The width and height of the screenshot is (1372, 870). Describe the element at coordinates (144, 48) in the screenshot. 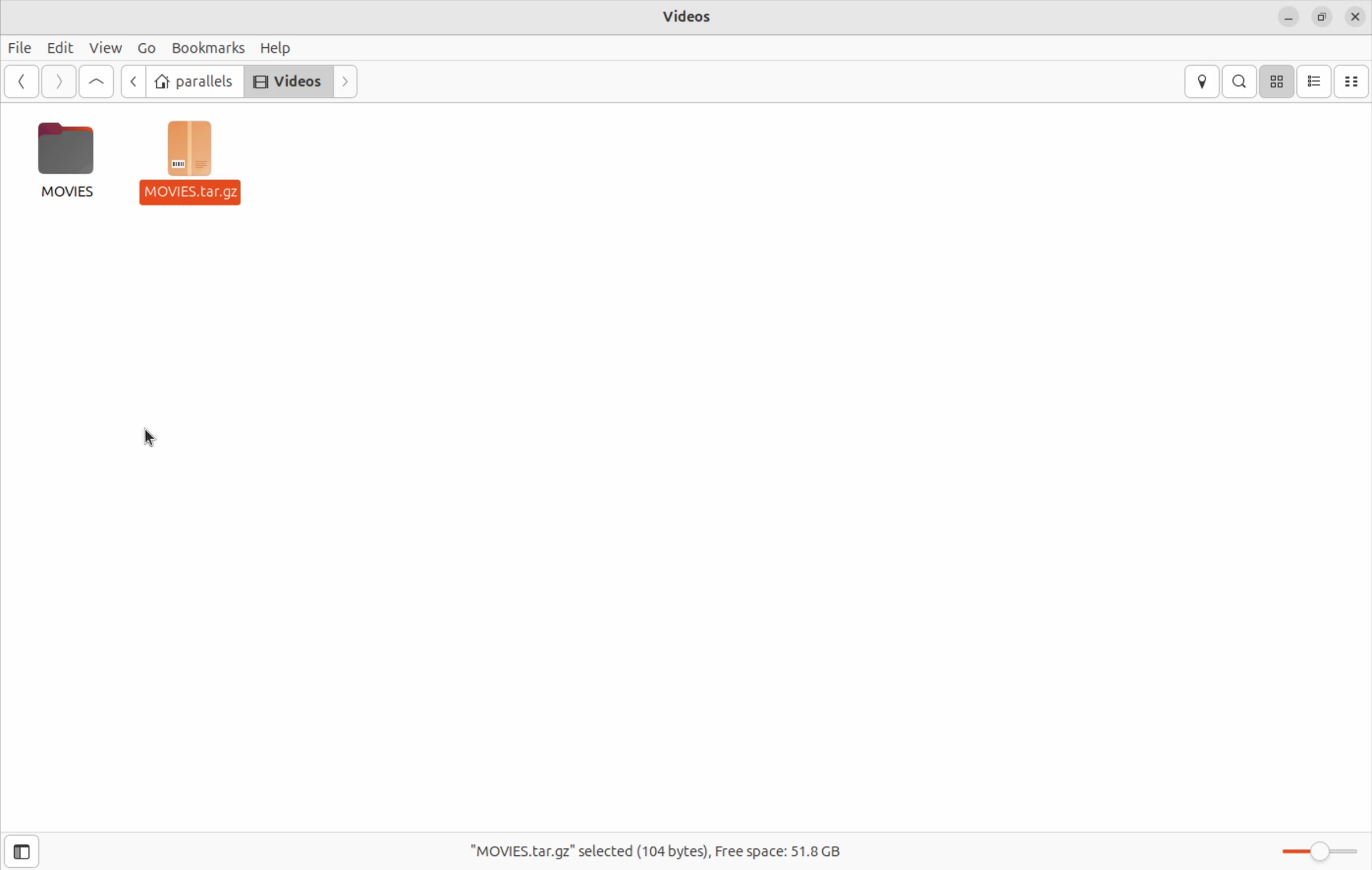

I see `Go` at that location.